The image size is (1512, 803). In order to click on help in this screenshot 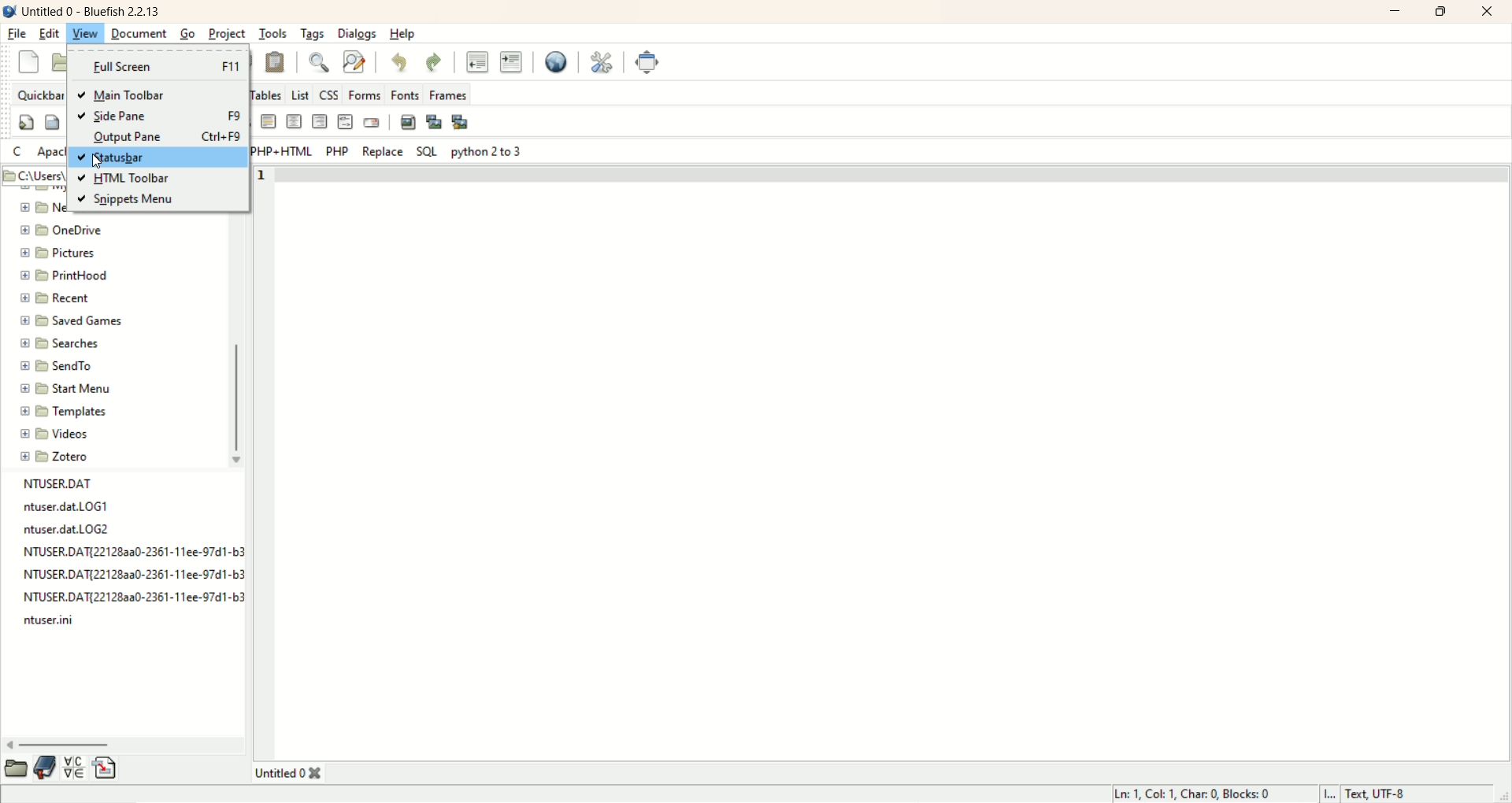, I will do `click(402, 35)`.